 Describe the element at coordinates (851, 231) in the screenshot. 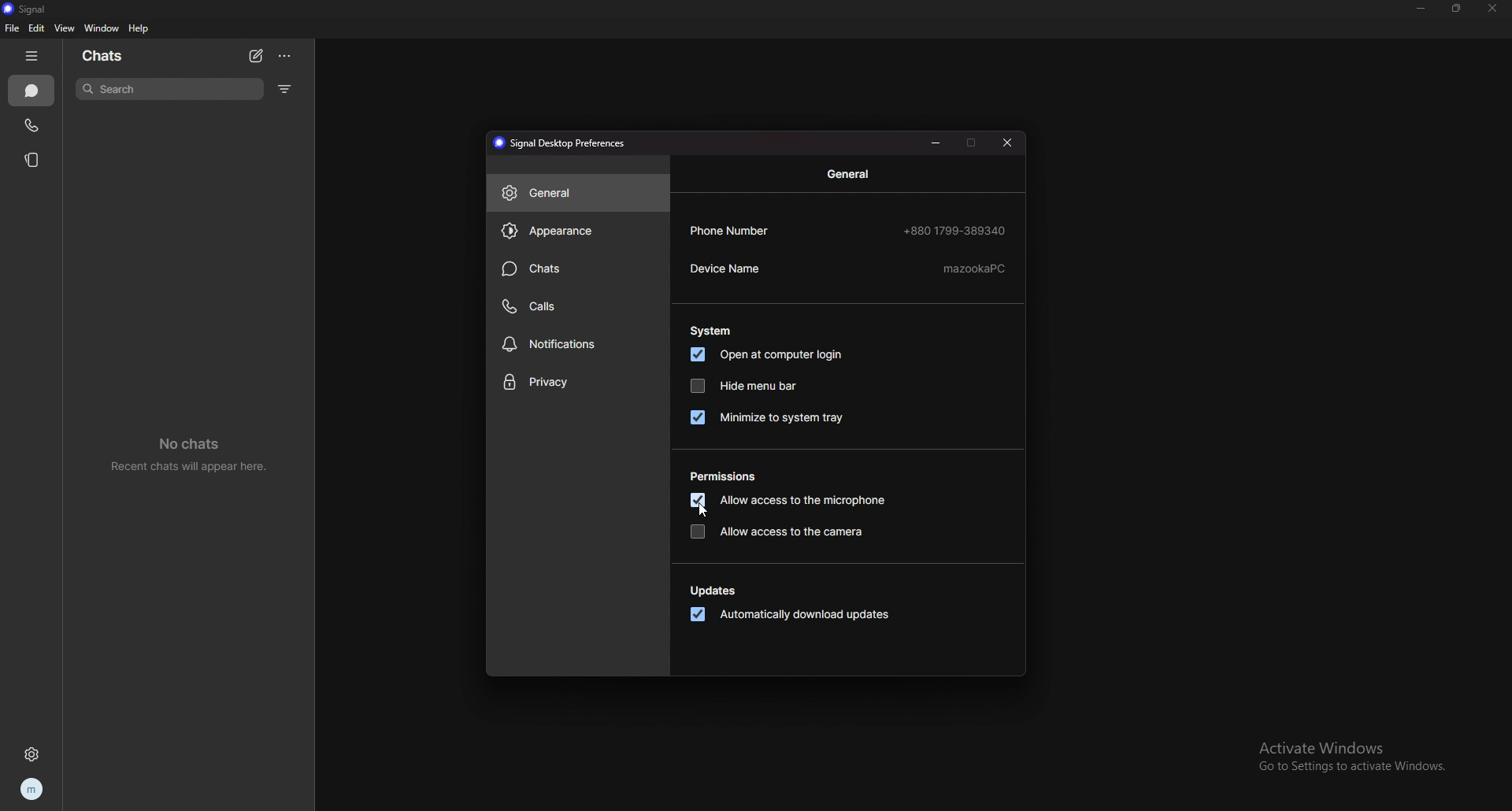

I see `phone number` at that location.